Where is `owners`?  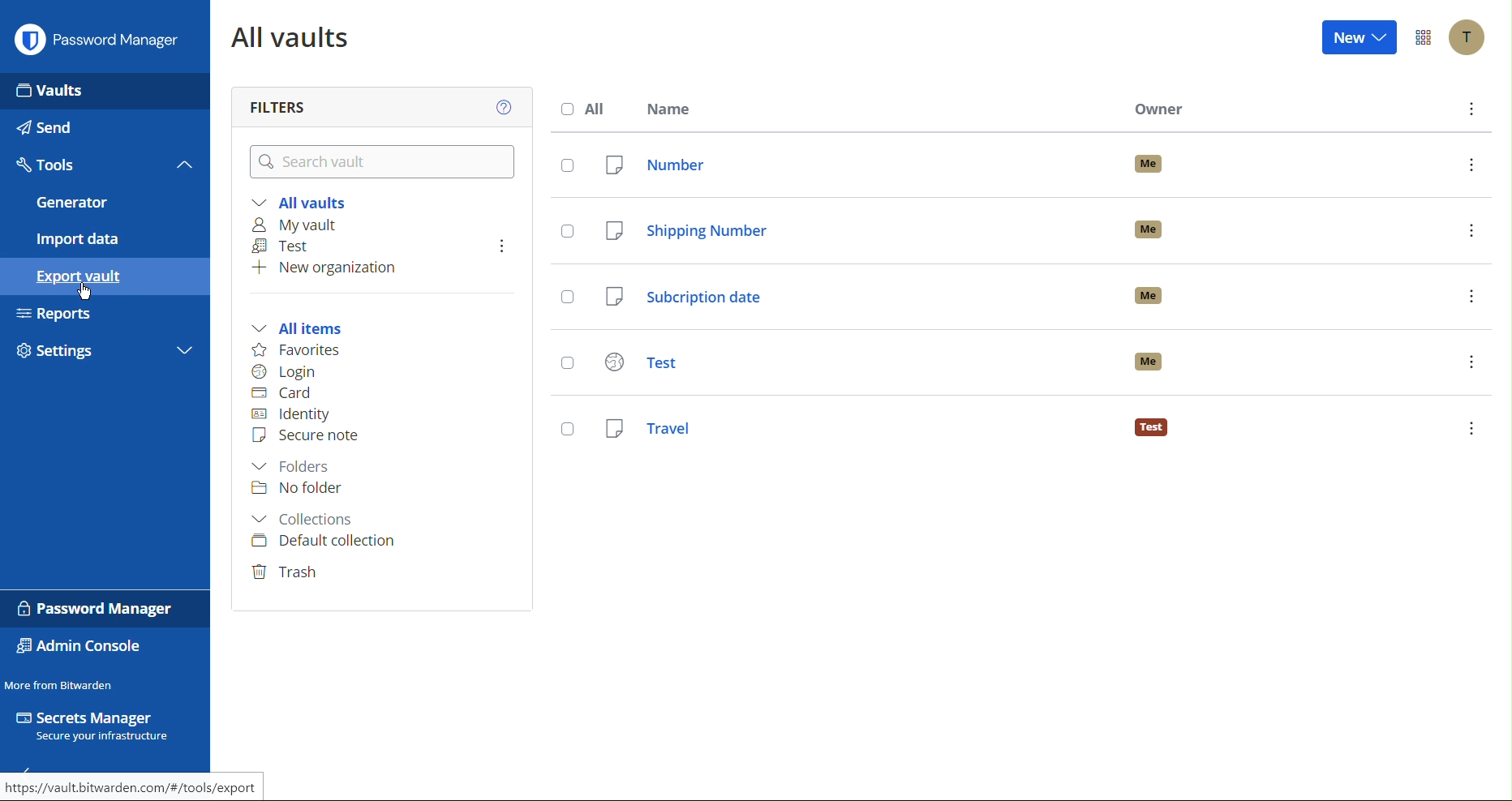 owners is located at coordinates (1156, 294).